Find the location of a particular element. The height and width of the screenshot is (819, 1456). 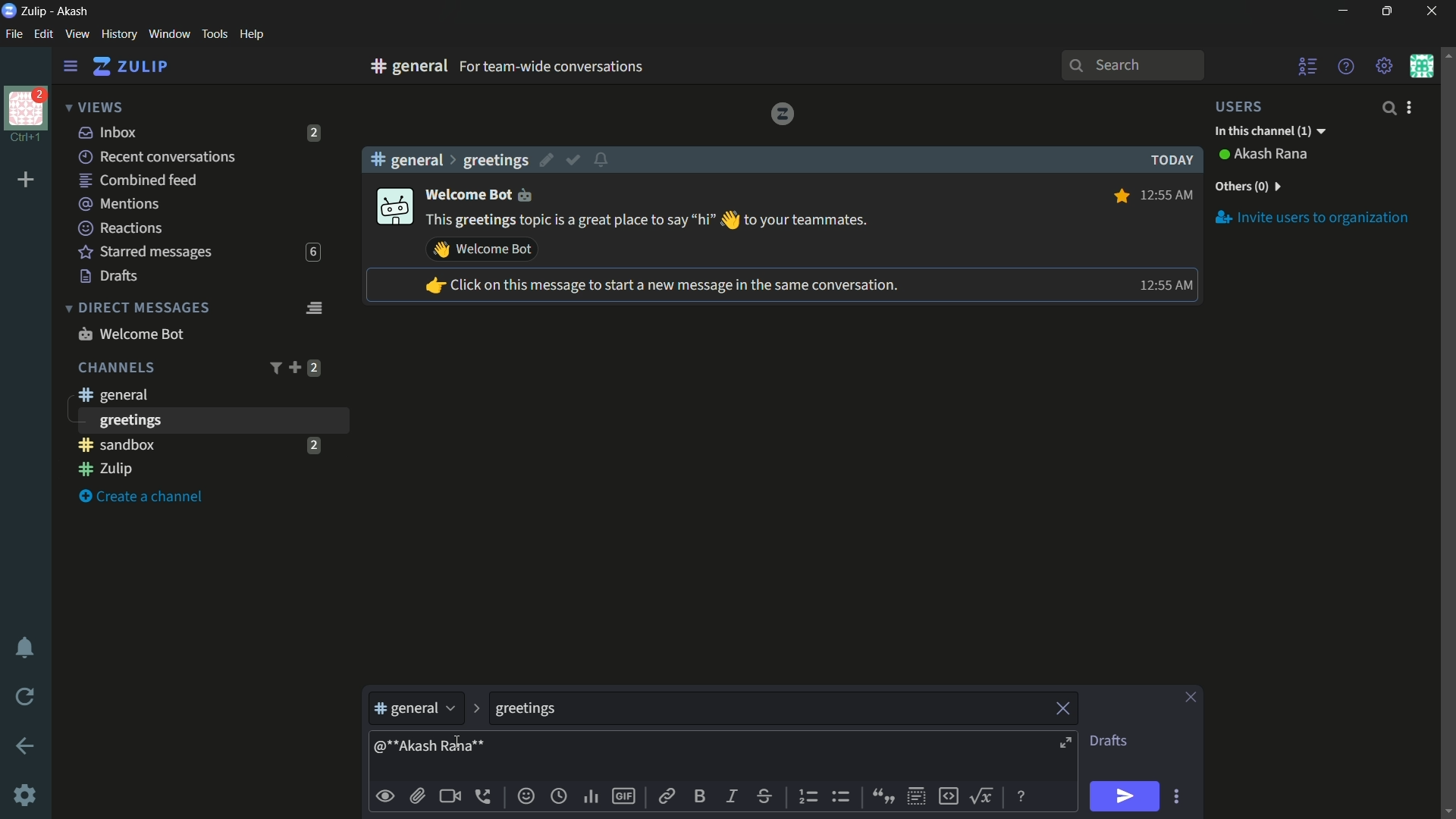

user list is located at coordinates (1309, 66).